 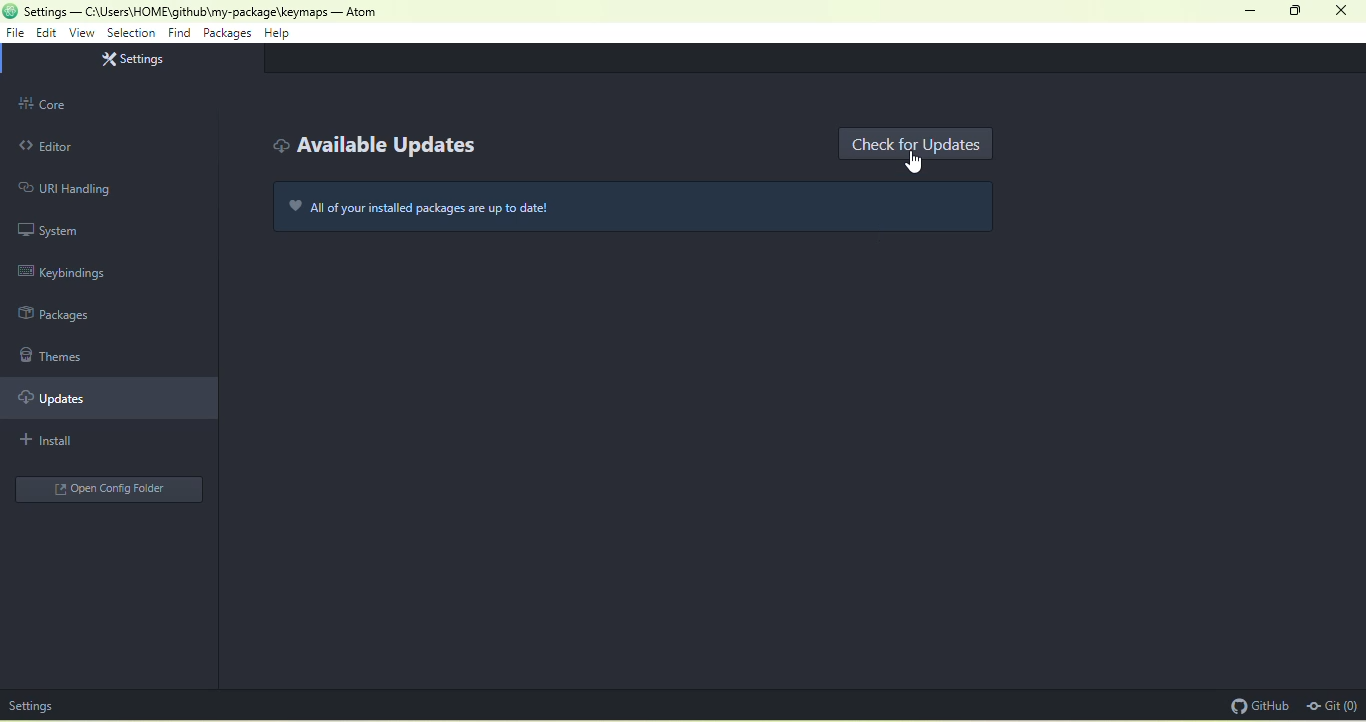 What do you see at coordinates (17, 35) in the screenshot?
I see `file` at bounding box center [17, 35].